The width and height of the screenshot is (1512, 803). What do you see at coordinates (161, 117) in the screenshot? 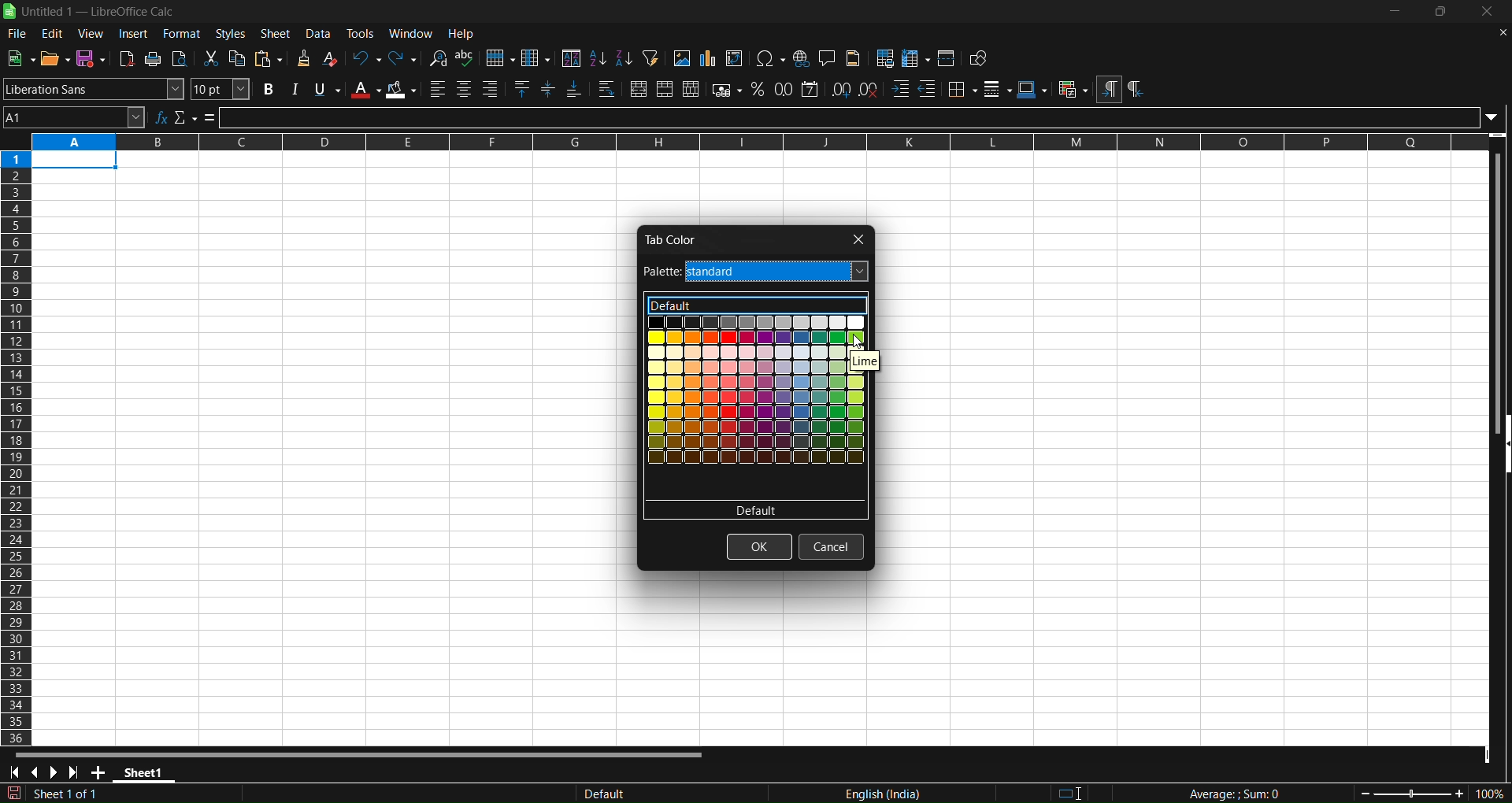
I see `function wizard` at bounding box center [161, 117].